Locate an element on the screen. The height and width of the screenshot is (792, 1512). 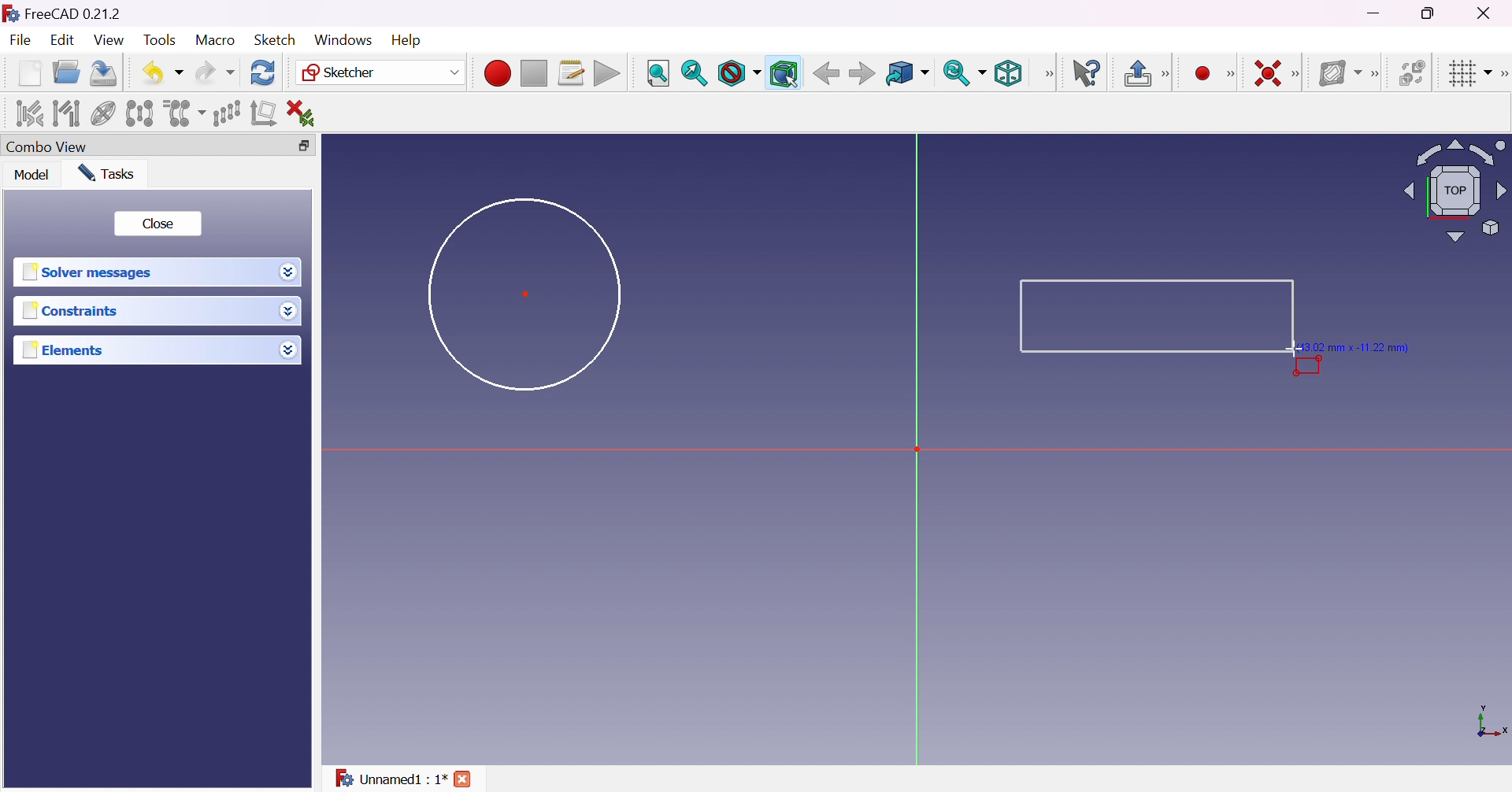
Tools is located at coordinates (161, 40).